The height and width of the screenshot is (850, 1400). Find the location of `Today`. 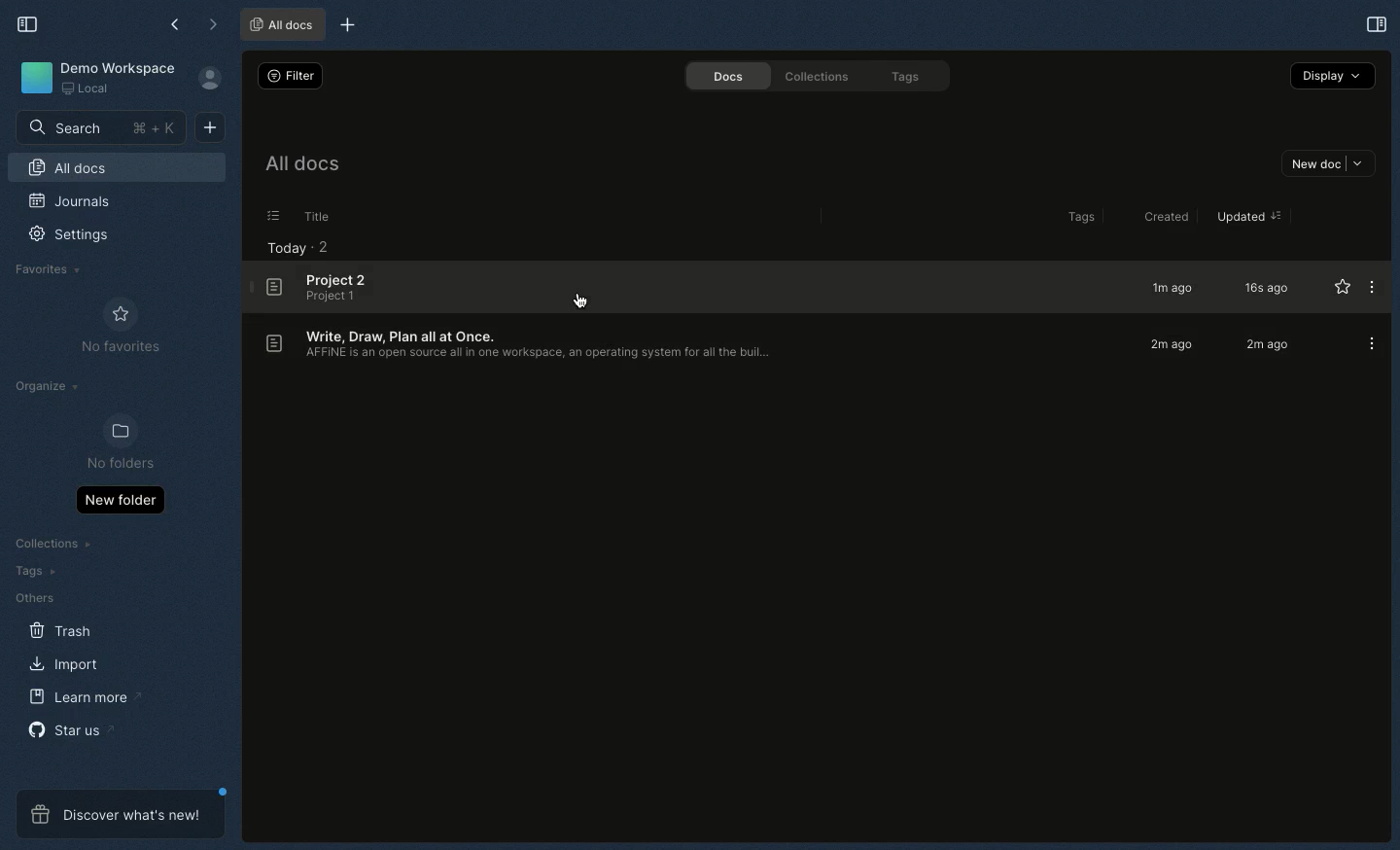

Today is located at coordinates (282, 246).